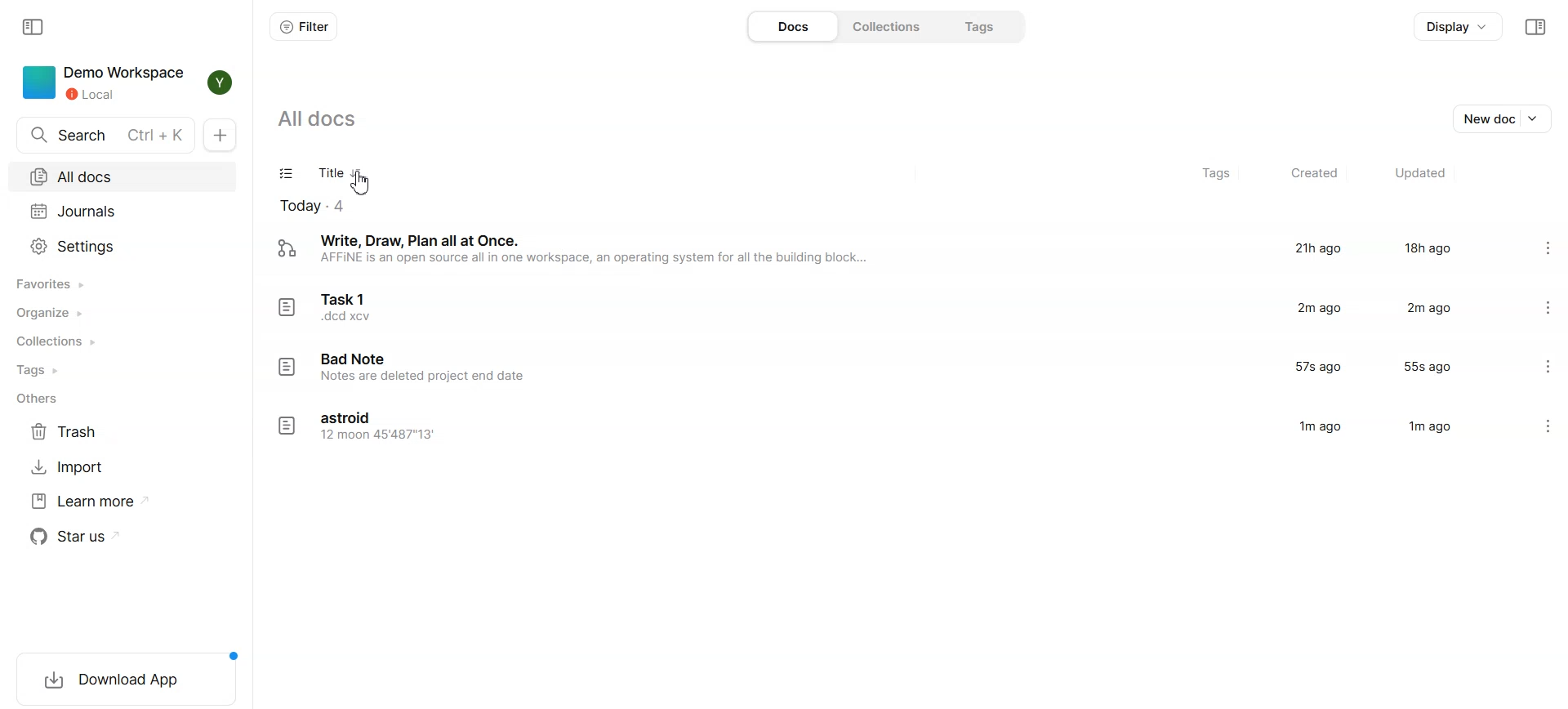 Image resolution: width=1568 pixels, height=709 pixels. Describe the element at coordinates (362, 184) in the screenshot. I see `Cursor` at that location.